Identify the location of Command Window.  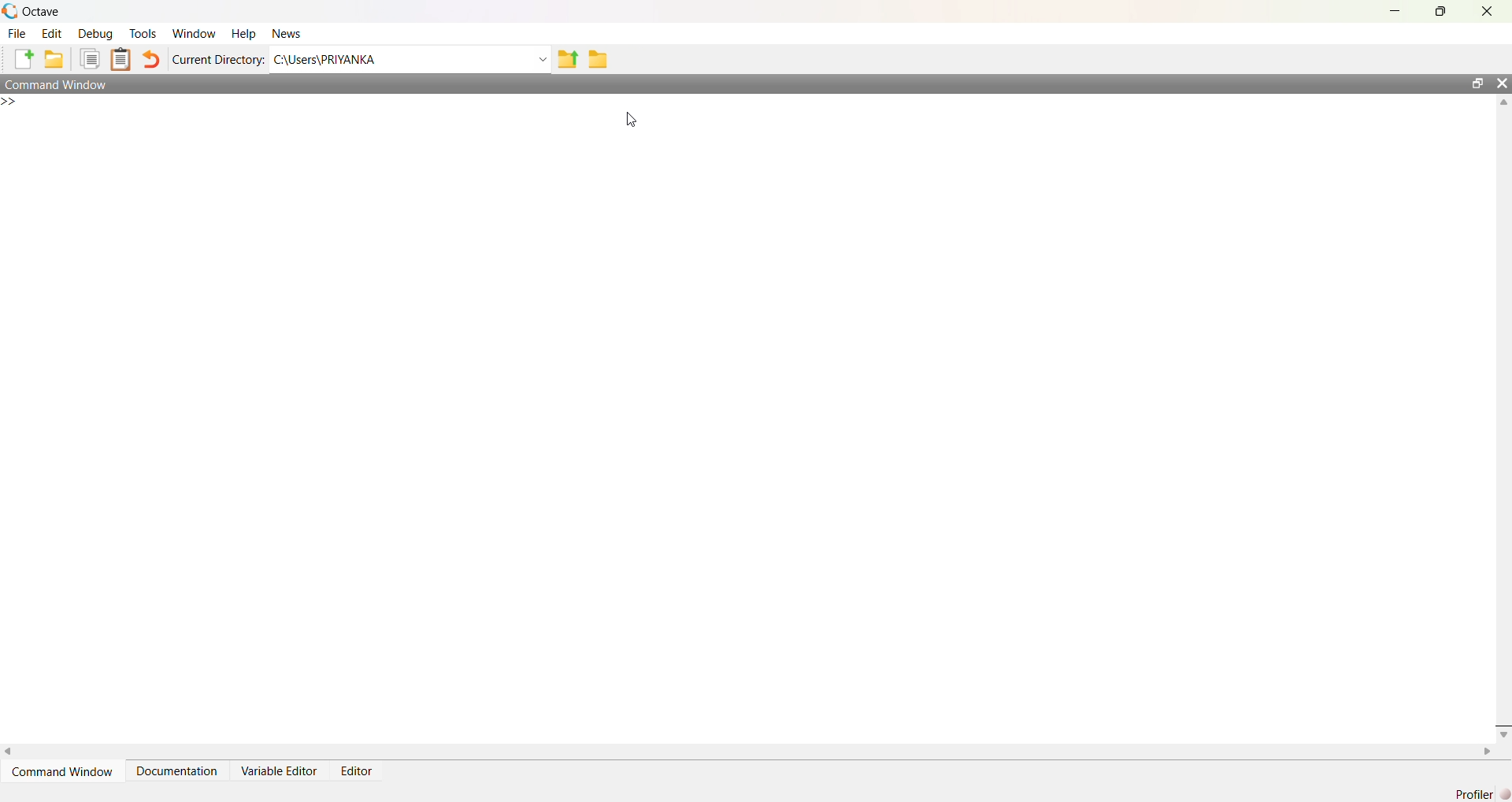
(65, 771).